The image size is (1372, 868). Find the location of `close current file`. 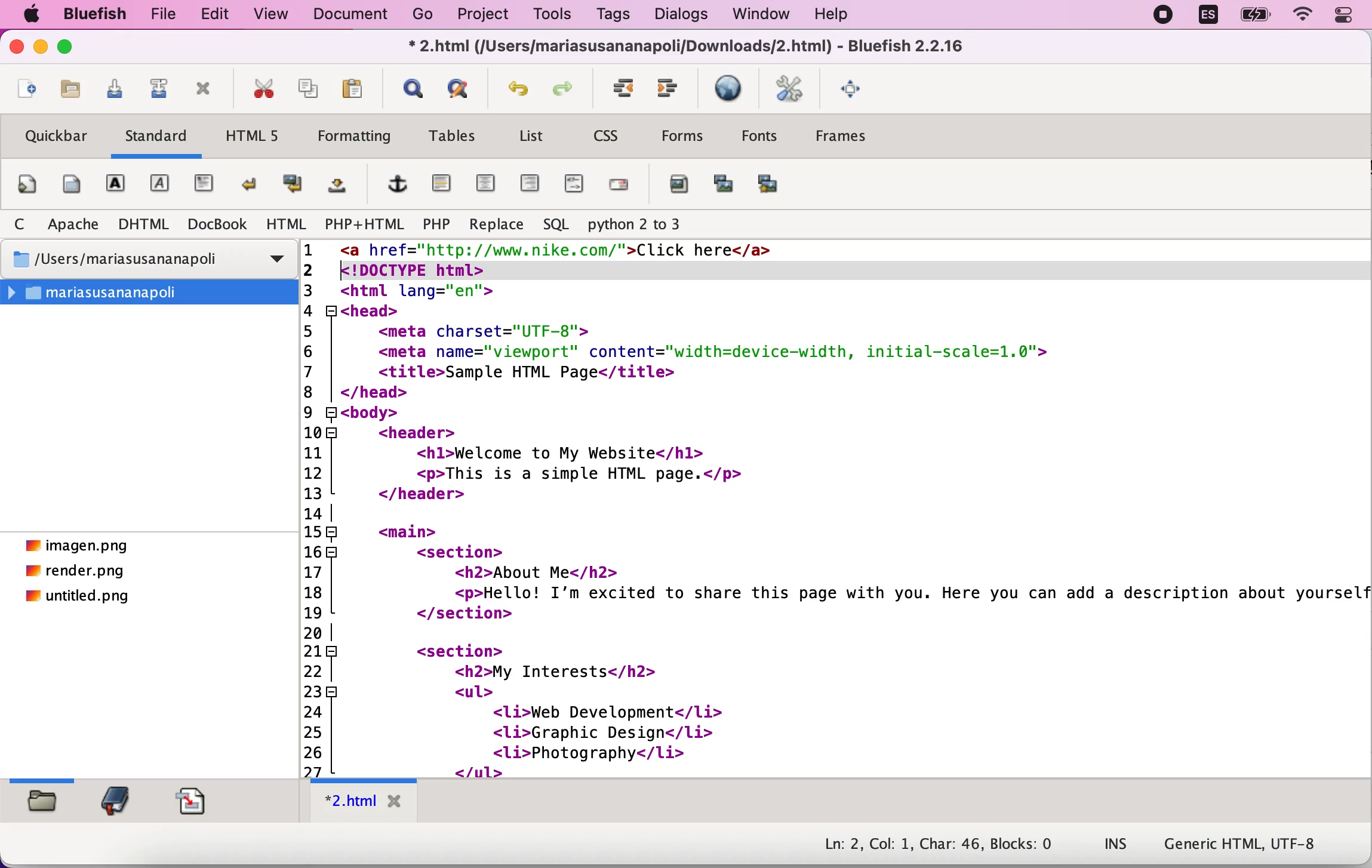

close current file is located at coordinates (204, 91).